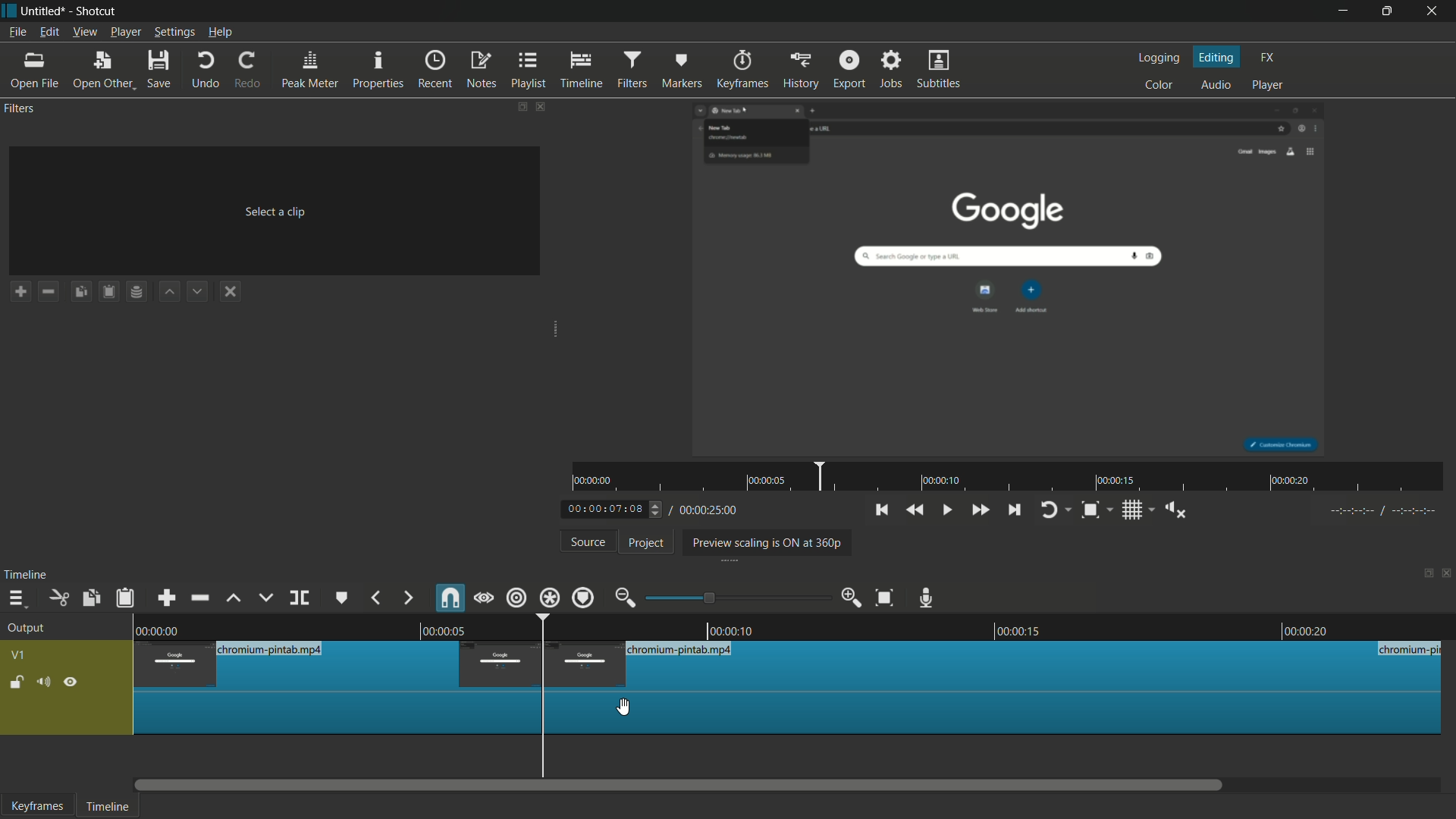 This screenshot has height=819, width=1456. Describe the element at coordinates (739, 598) in the screenshot. I see `adjustment bar` at that location.